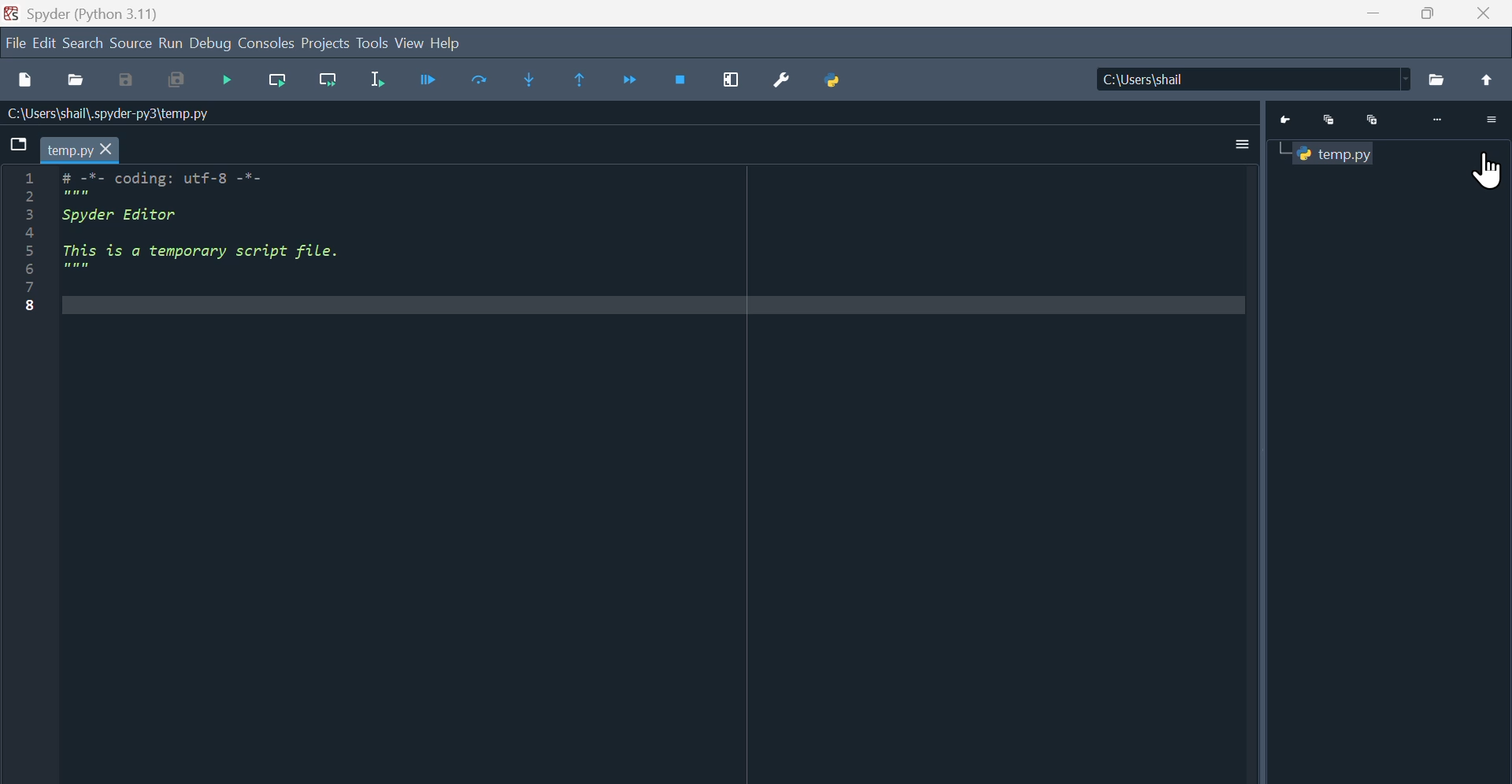 Image resolution: width=1512 pixels, height=784 pixels. What do you see at coordinates (75, 81) in the screenshot?
I see `Open` at bounding box center [75, 81].